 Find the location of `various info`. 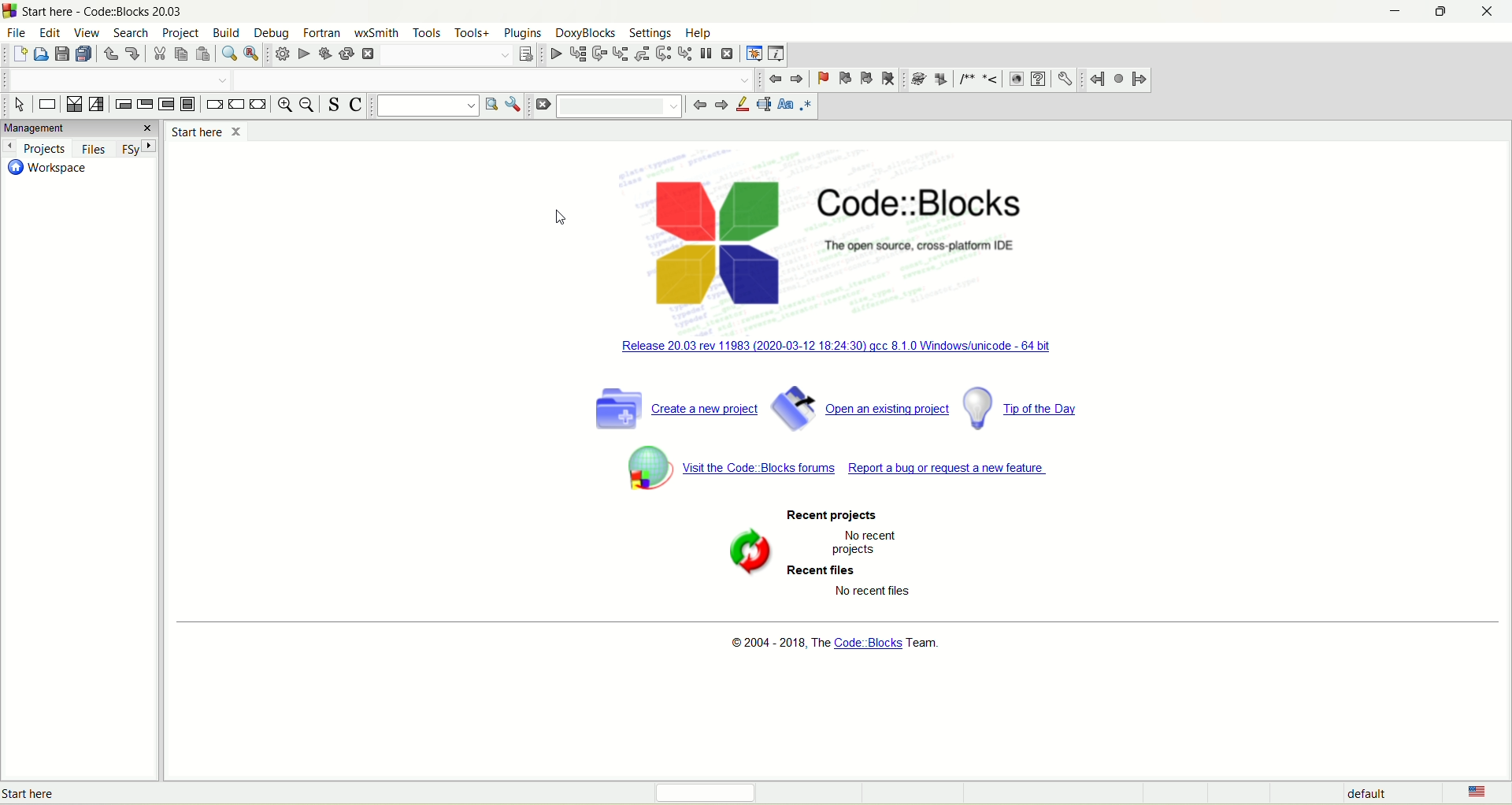

various info is located at coordinates (776, 54).